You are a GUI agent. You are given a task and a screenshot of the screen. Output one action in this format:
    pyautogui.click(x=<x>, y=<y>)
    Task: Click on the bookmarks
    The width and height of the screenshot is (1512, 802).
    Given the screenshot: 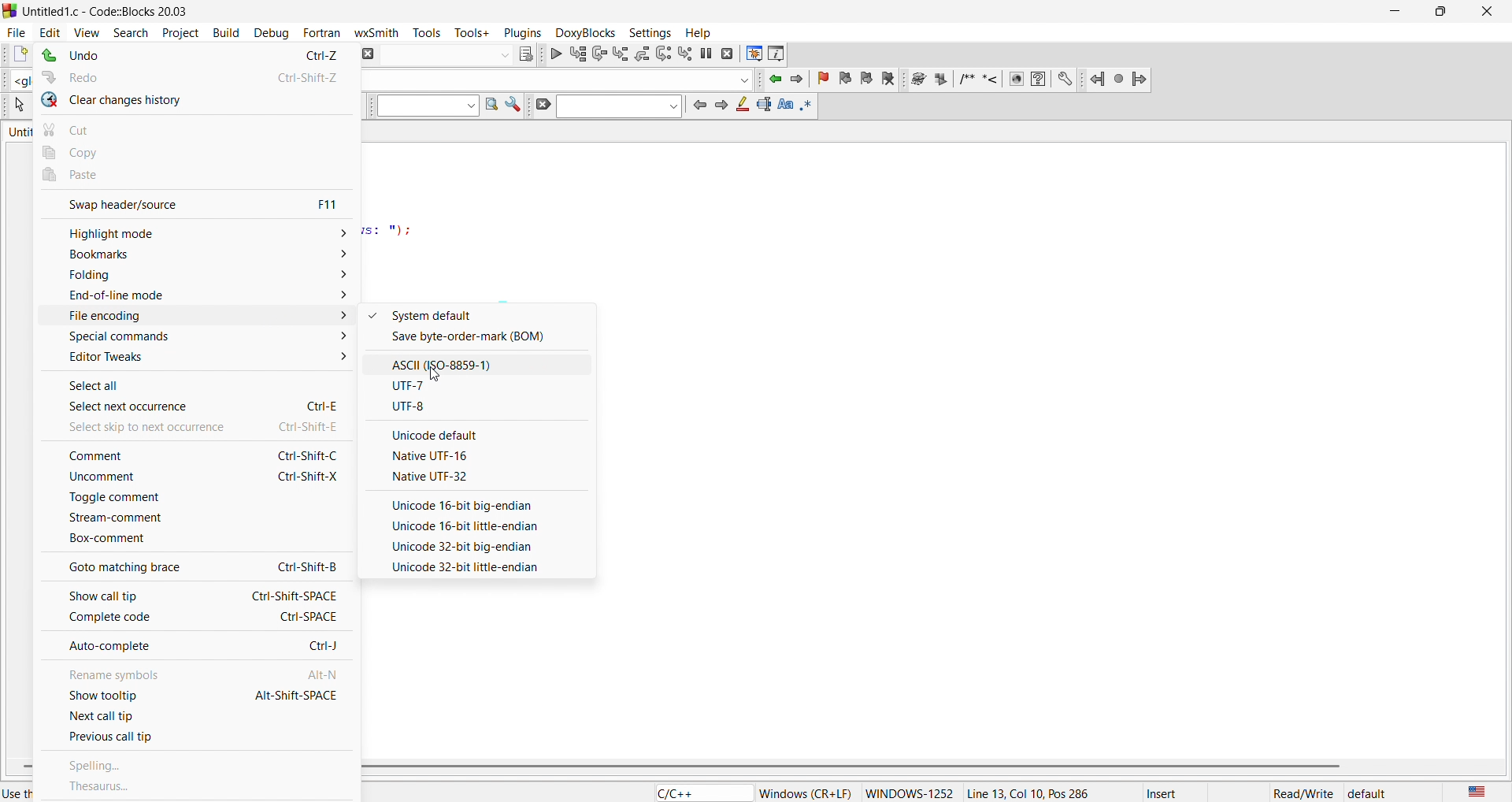 What is the action you would take?
    pyautogui.click(x=194, y=254)
    